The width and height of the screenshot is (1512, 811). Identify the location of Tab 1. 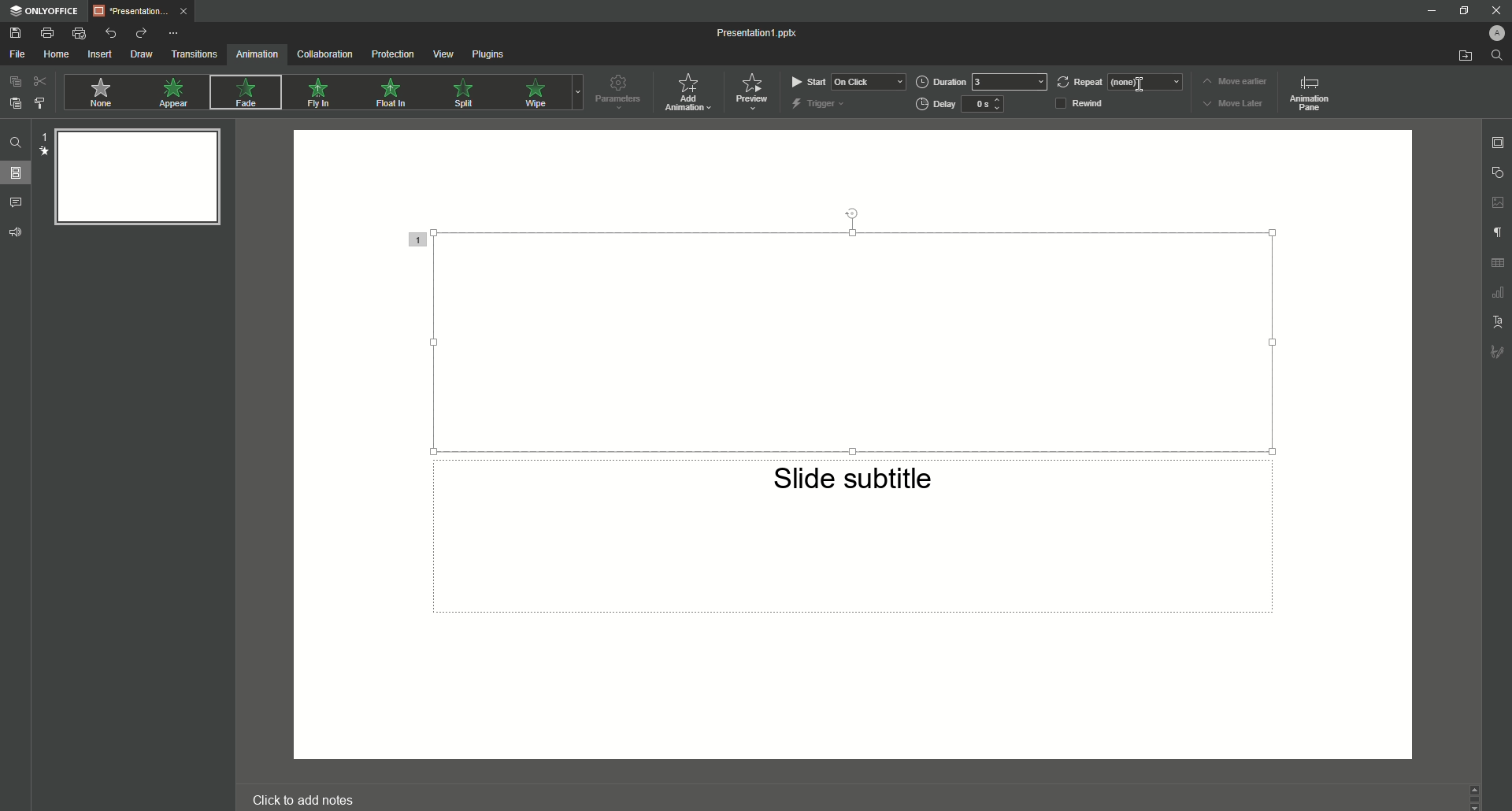
(146, 13).